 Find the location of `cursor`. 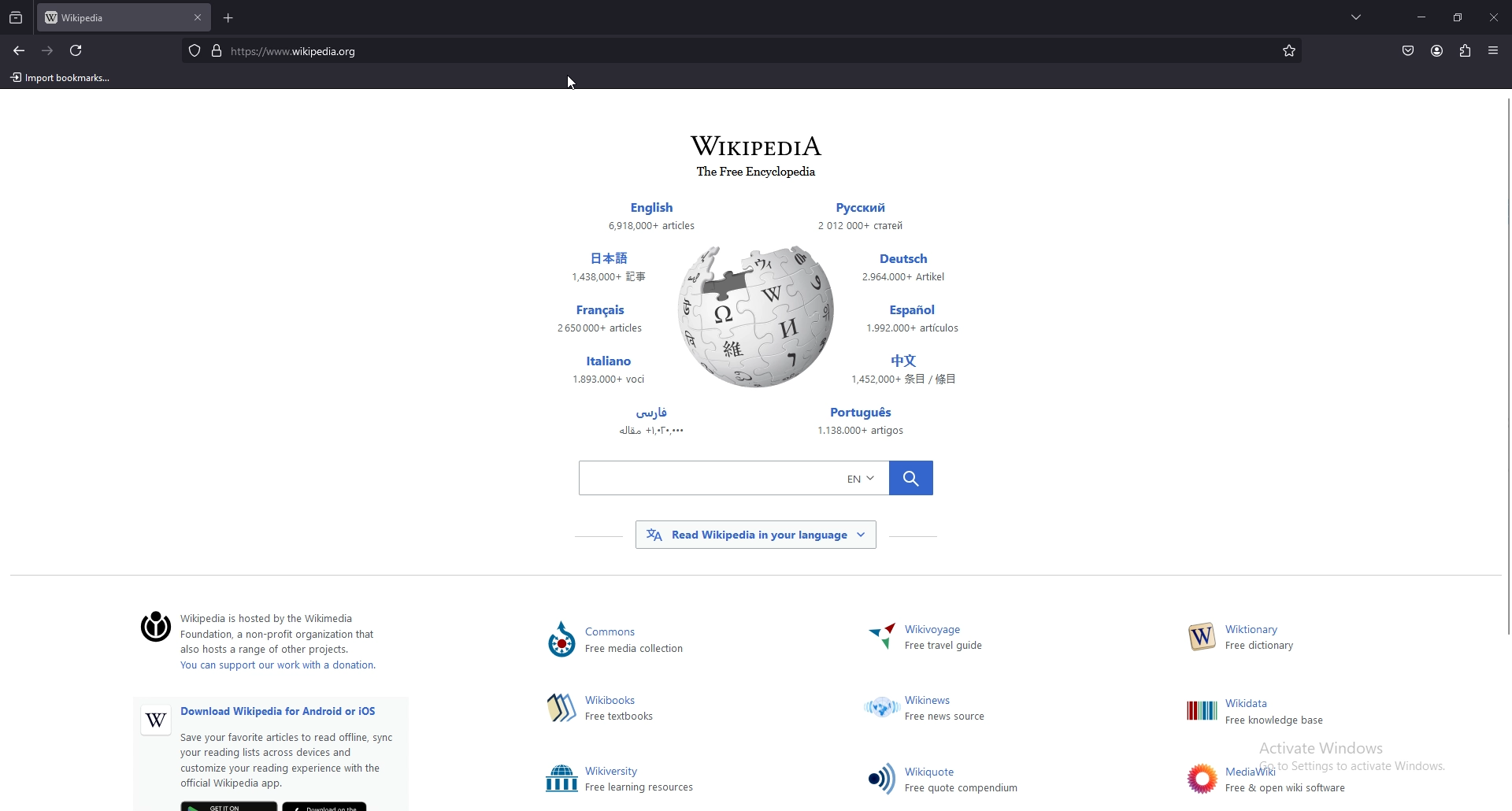

cursor is located at coordinates (573, 81).